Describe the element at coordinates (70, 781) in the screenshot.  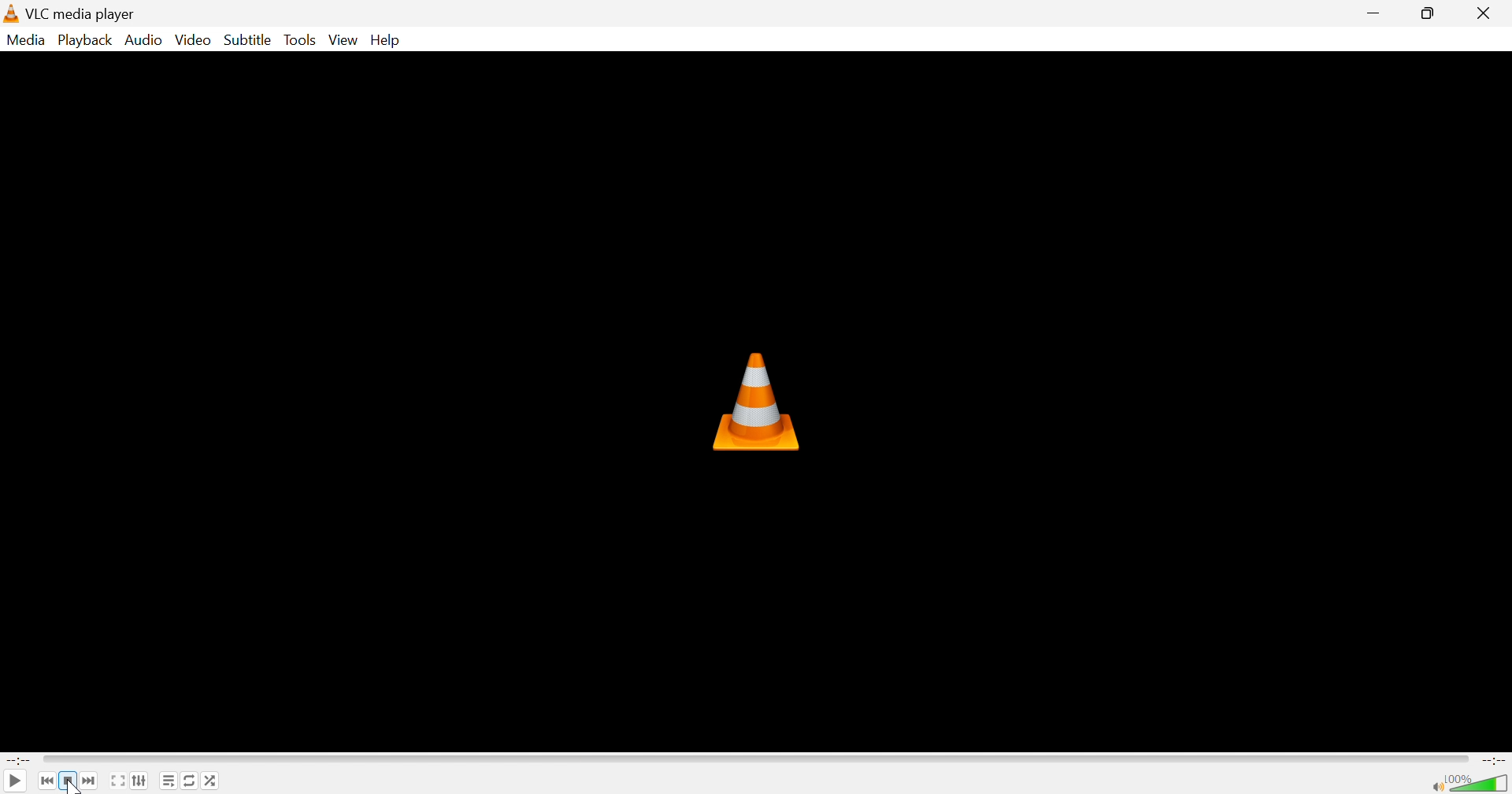
I see `Stop playback` at that location.